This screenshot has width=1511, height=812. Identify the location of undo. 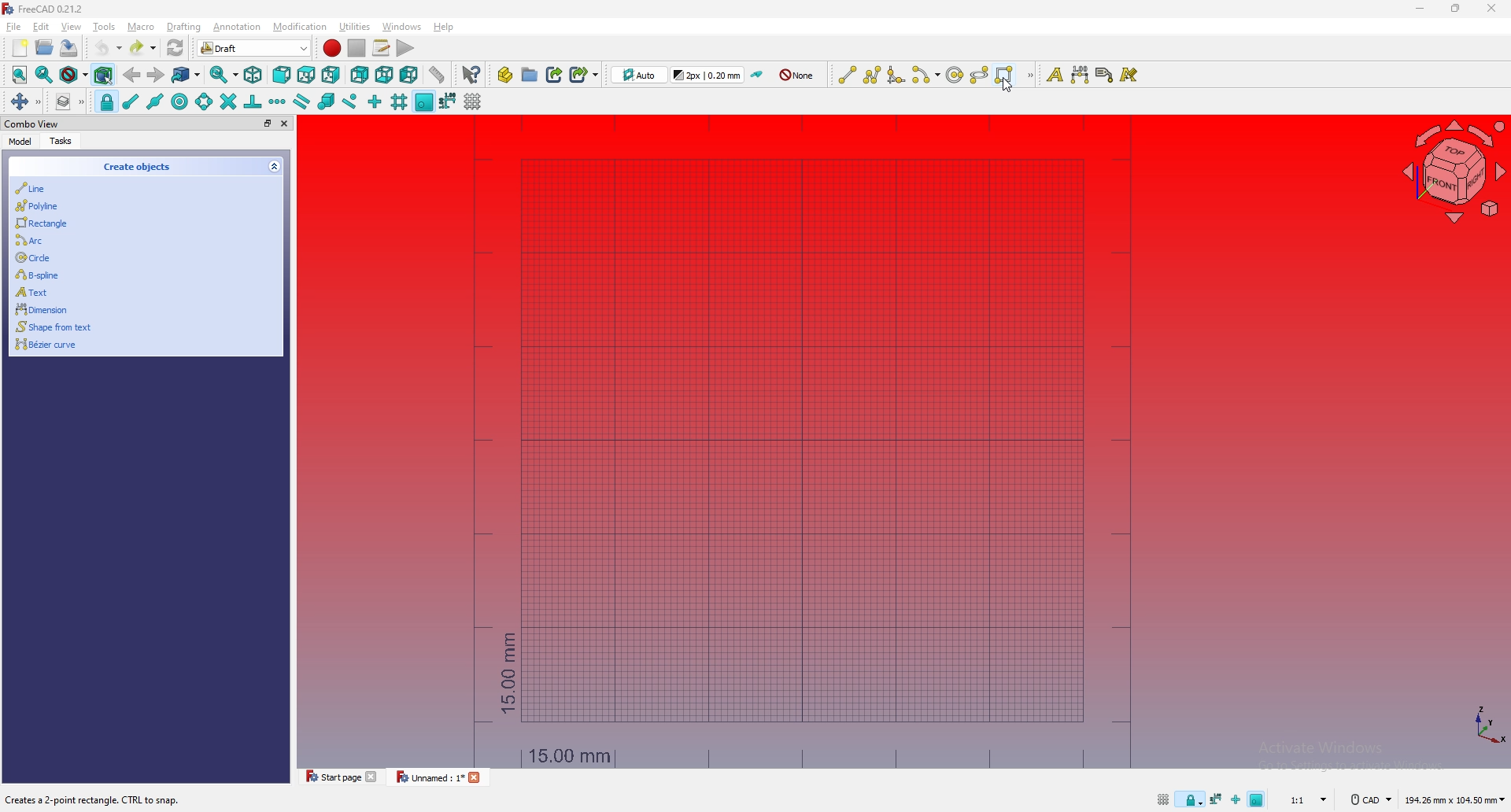
(106, 47).